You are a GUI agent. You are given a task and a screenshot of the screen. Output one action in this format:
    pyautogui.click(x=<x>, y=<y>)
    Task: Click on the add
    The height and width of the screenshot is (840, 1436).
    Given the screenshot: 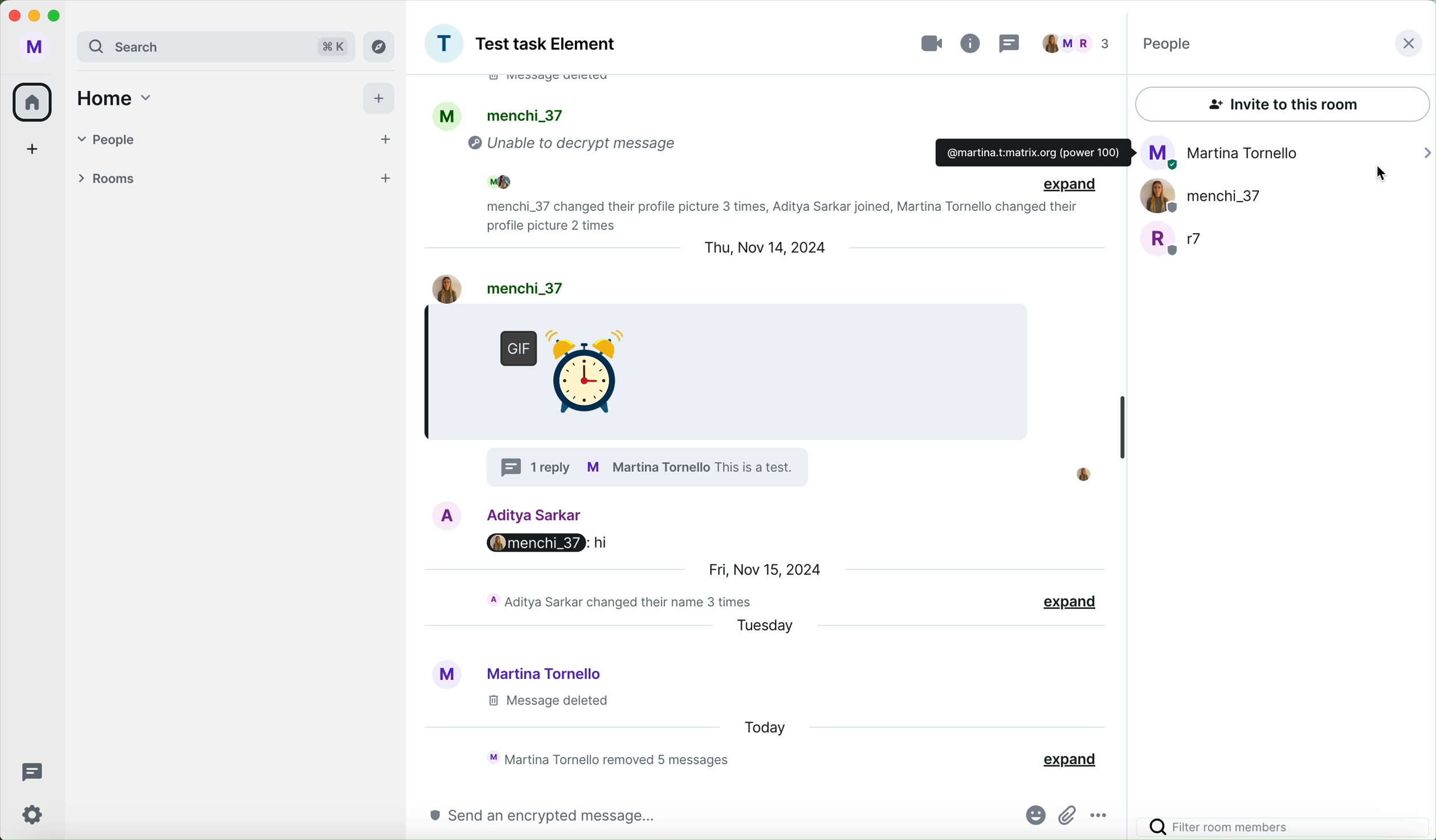 What is the action you would take?
    pyautogui.click(x=32, y=148)
    